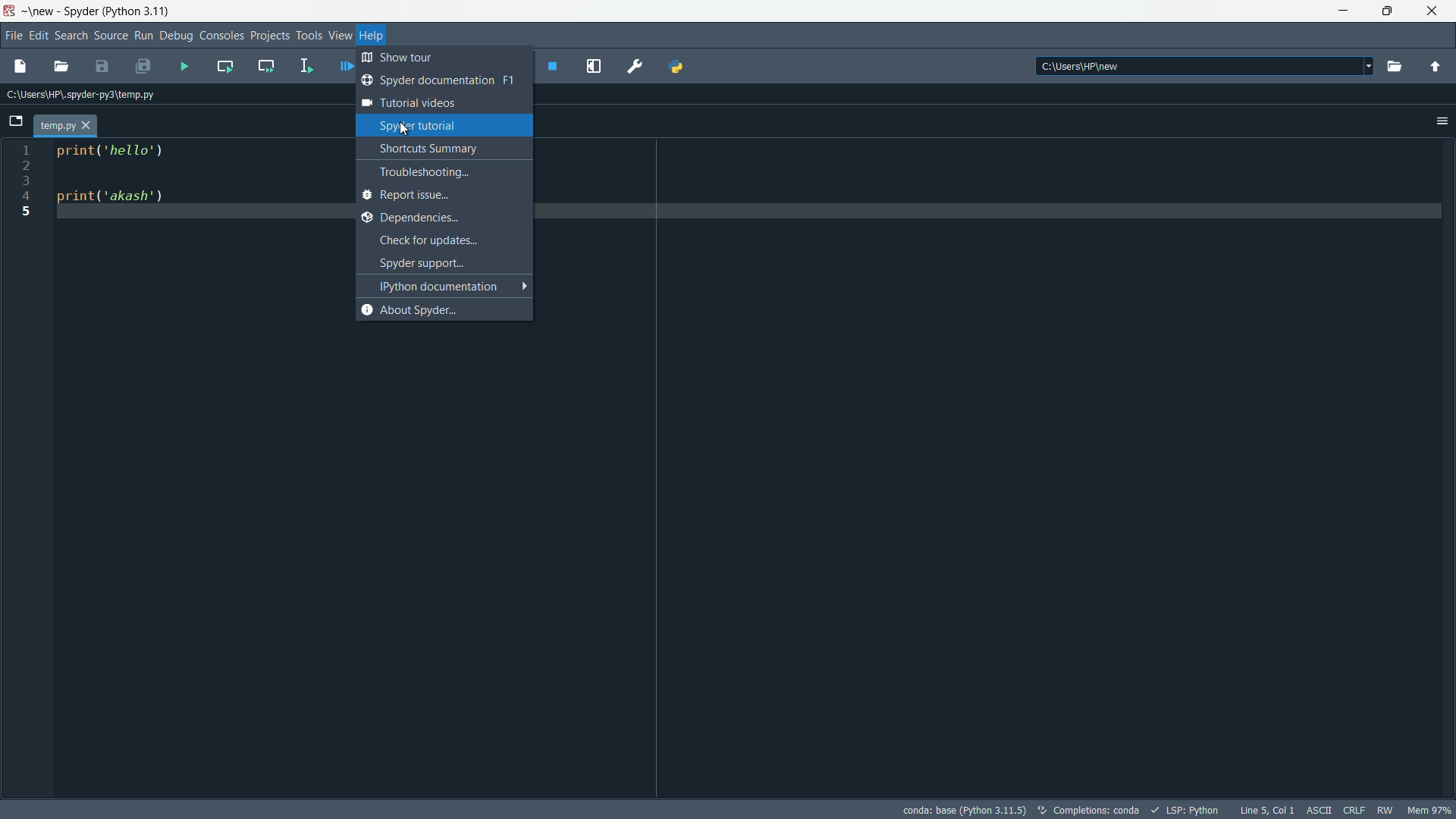 This screenshot has height=819, width=1456. I want to click on preferences, so click(634, 66).